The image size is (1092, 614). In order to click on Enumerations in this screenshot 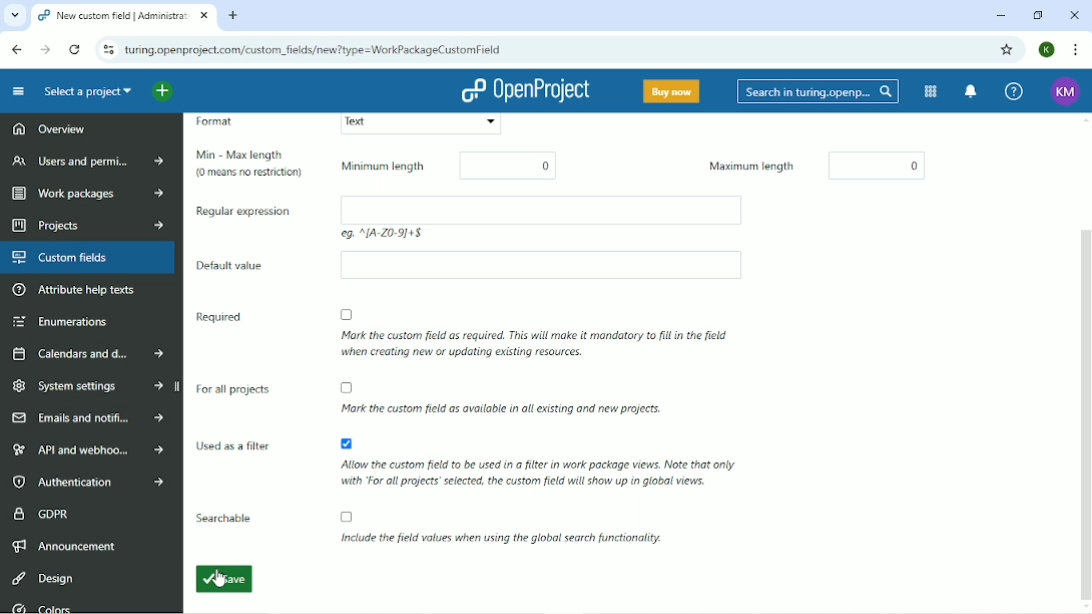, I will do `click(59, 322)`.